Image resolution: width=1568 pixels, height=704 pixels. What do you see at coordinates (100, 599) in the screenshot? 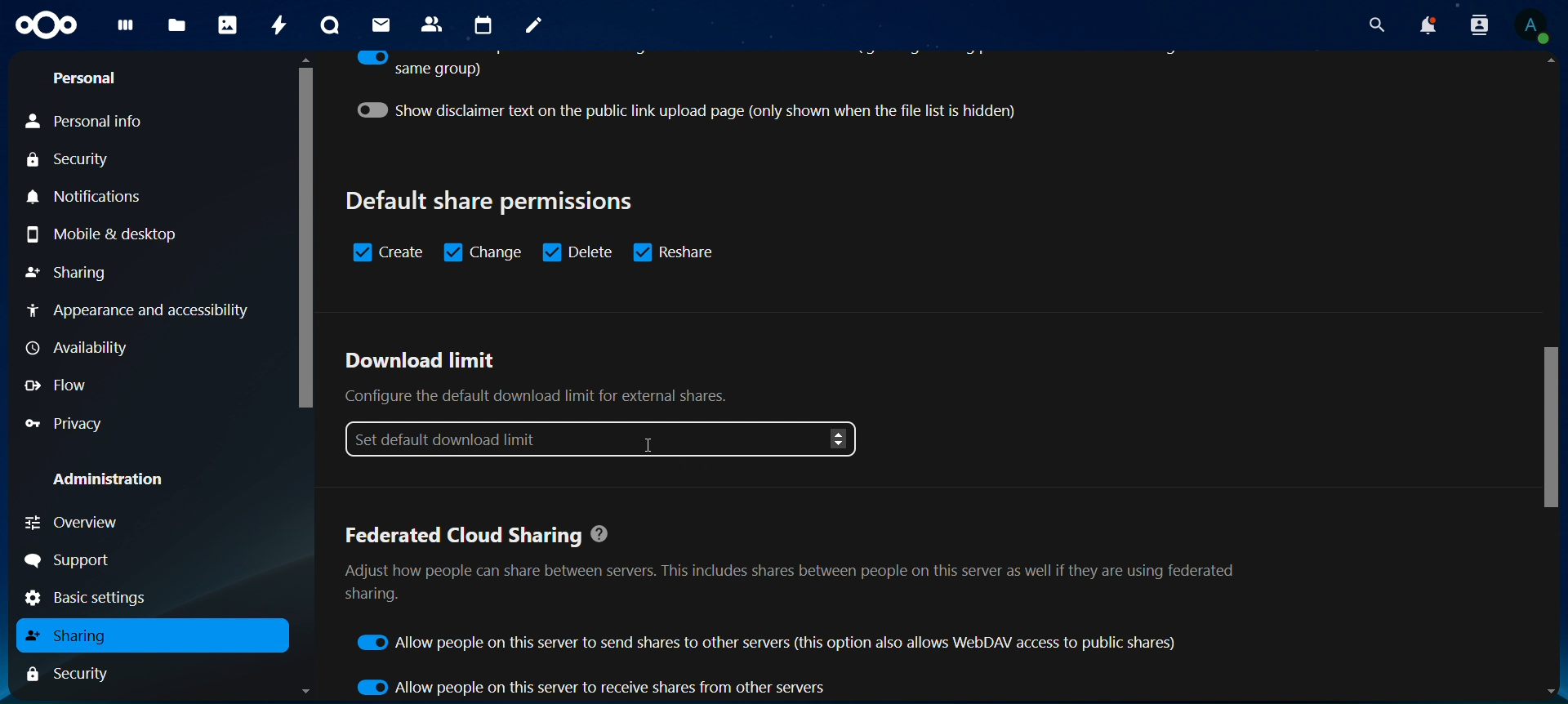
I see `basic settings` at bounding box center [100, 599].